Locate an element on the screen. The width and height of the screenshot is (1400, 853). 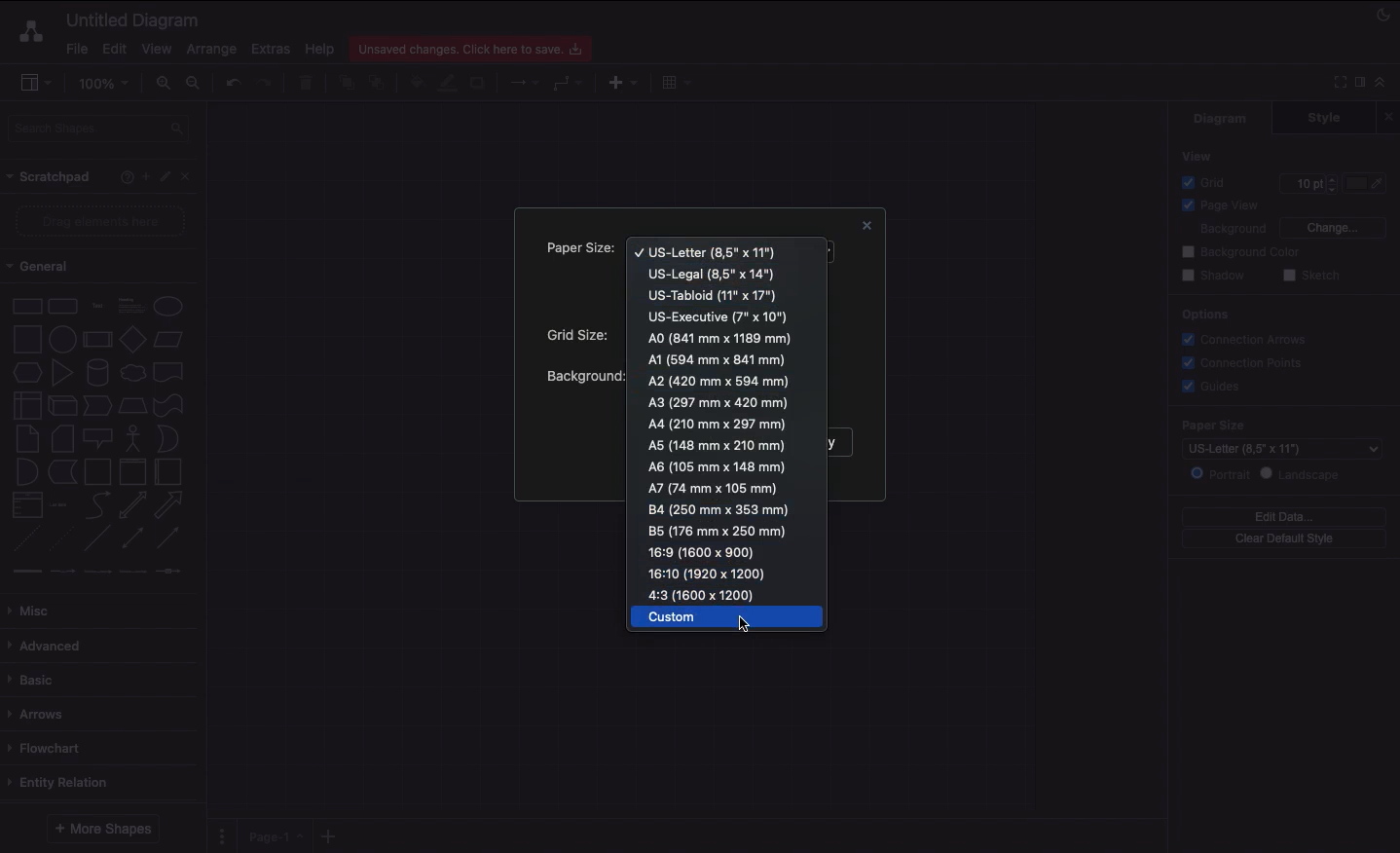
Close is located at coordinates (1391, 116).